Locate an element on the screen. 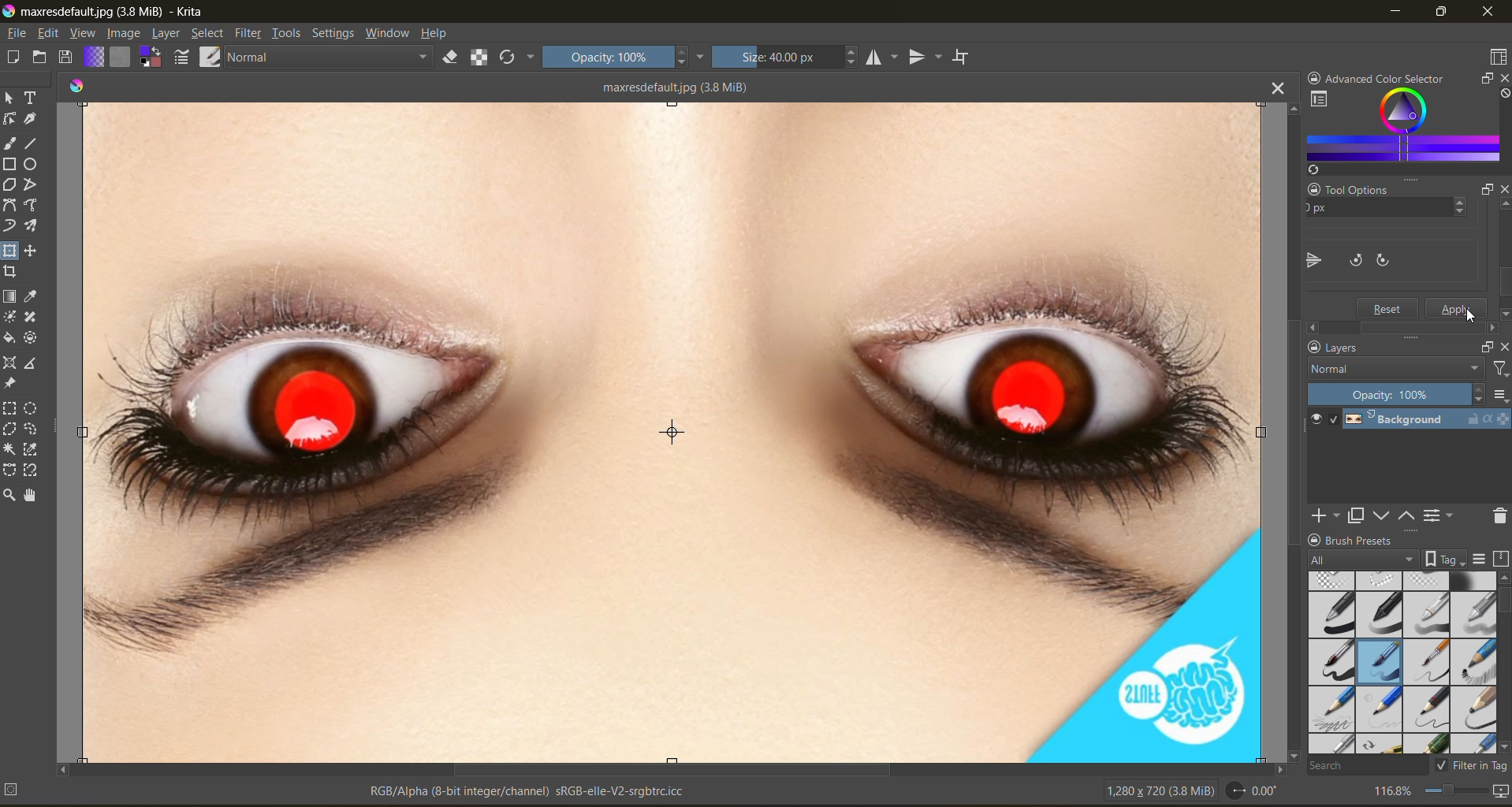  tool is located at coordinates (12, 250).